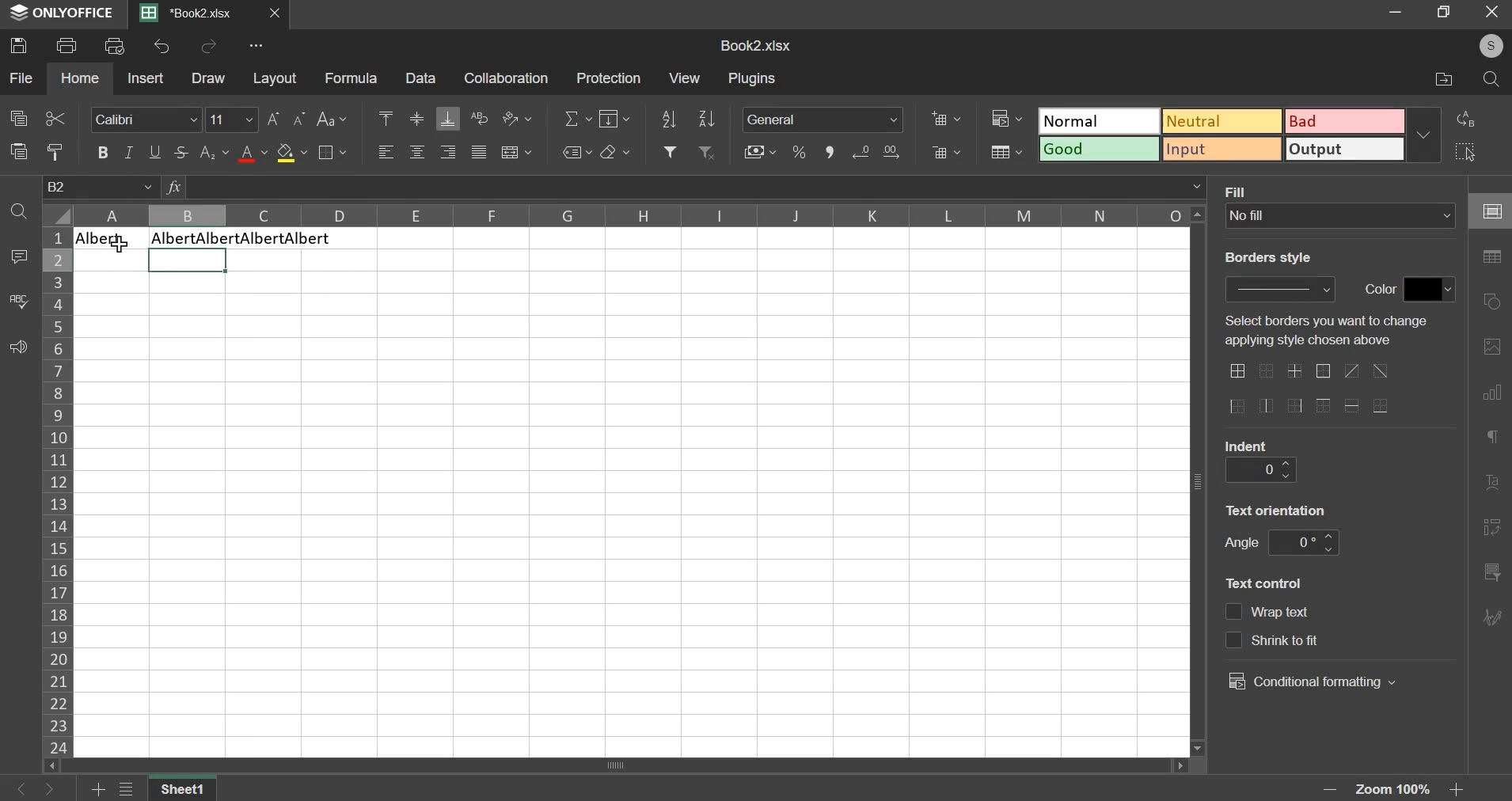 Image resolution: width=1512 pixels, height=801 pixels. What do you see at coordinates (823, 118) in the screenshot?
I see `number format` at bounding box center [823, 118].